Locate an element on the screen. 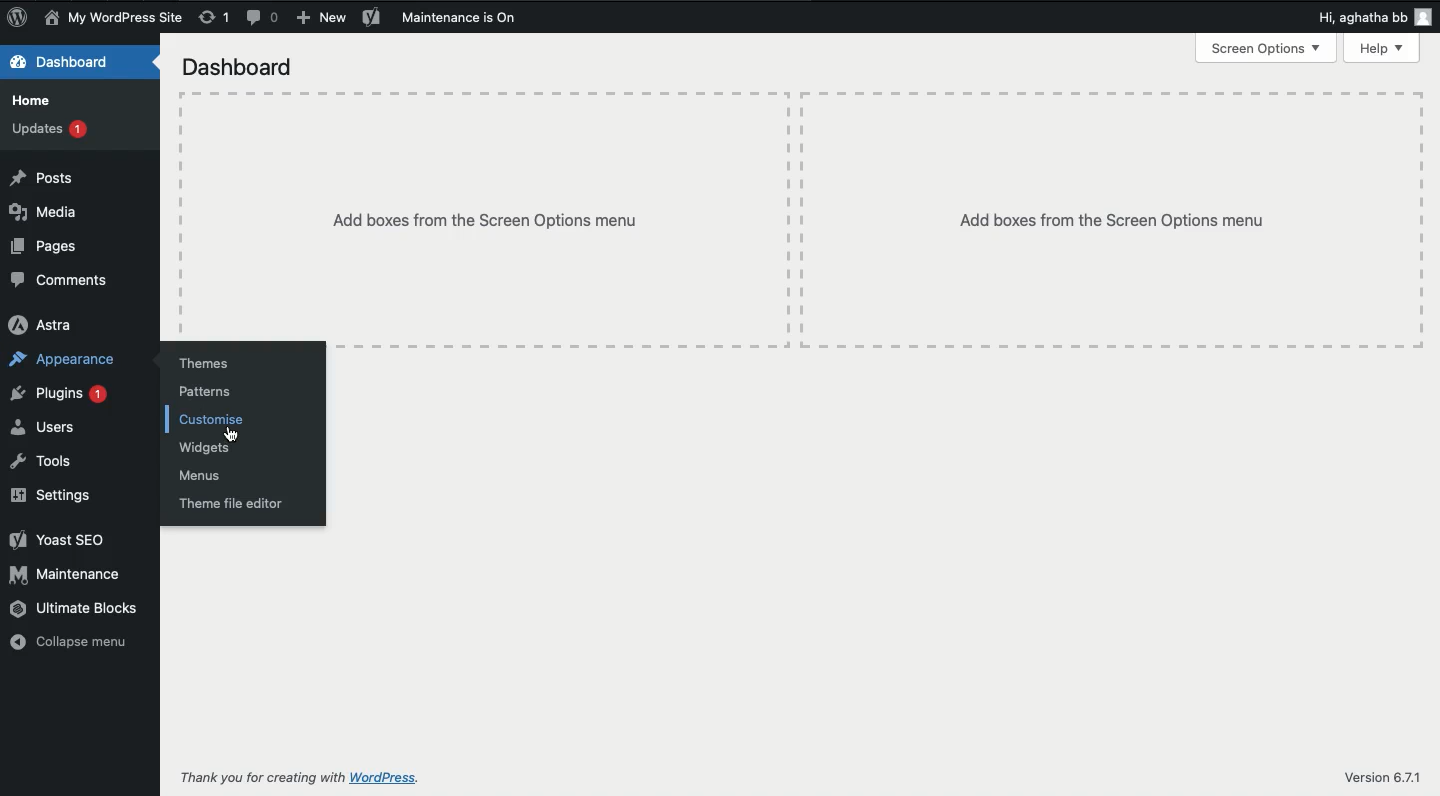 The height and width of the screenshot is (796, 1440). Users is located at coordinates (46, 427).